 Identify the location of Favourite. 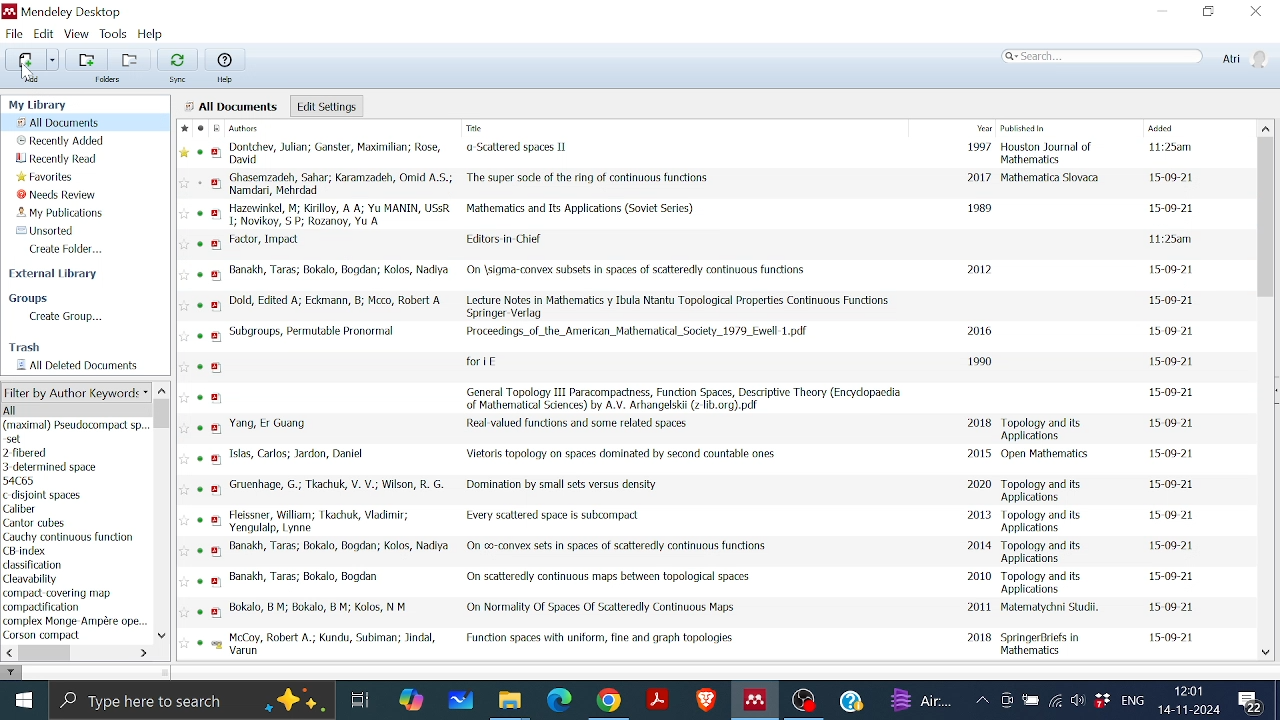
(186, 458).